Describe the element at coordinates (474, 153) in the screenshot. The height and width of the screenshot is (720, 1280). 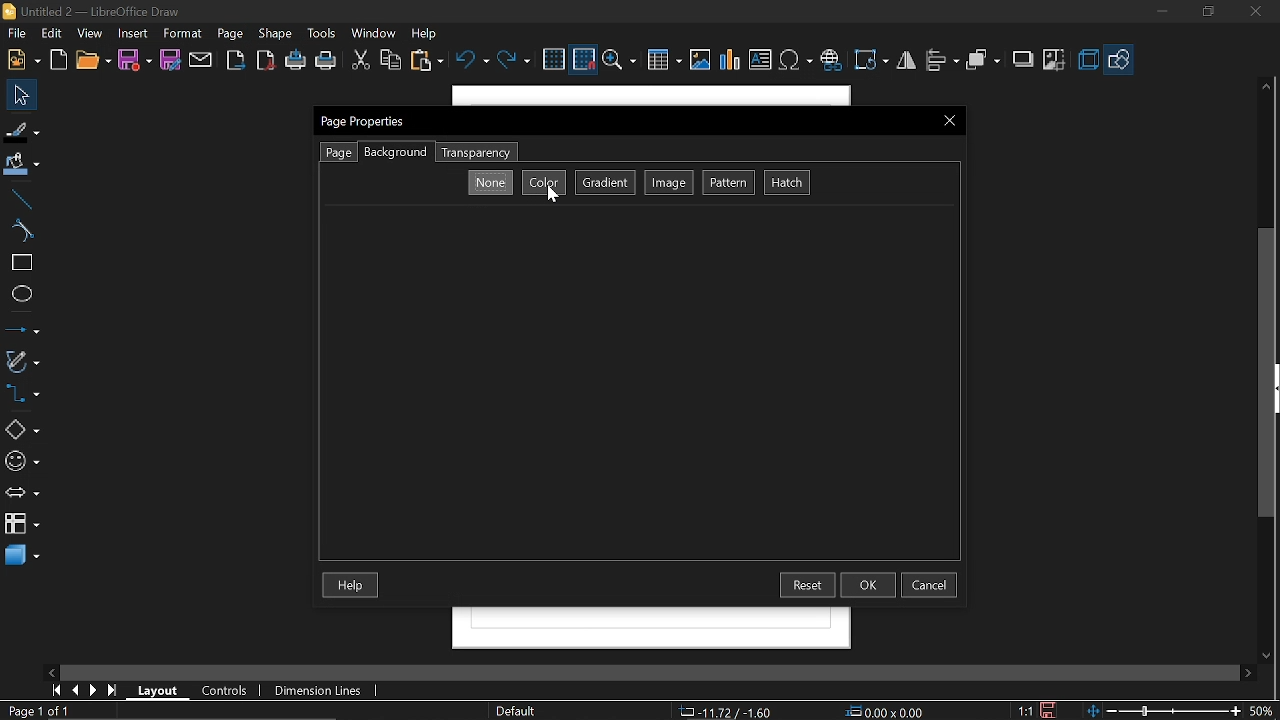
I see `Transparensy` at that location.